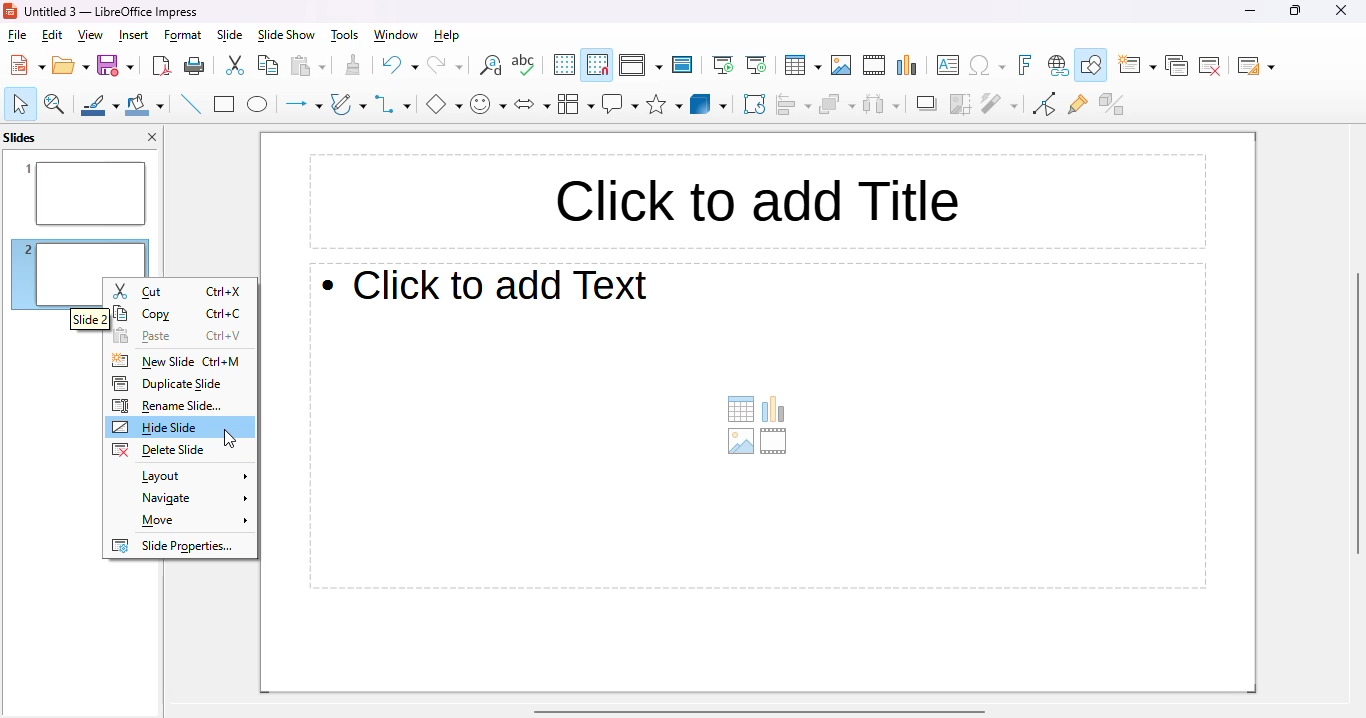  I want to click on shadow, so click(927, 104).